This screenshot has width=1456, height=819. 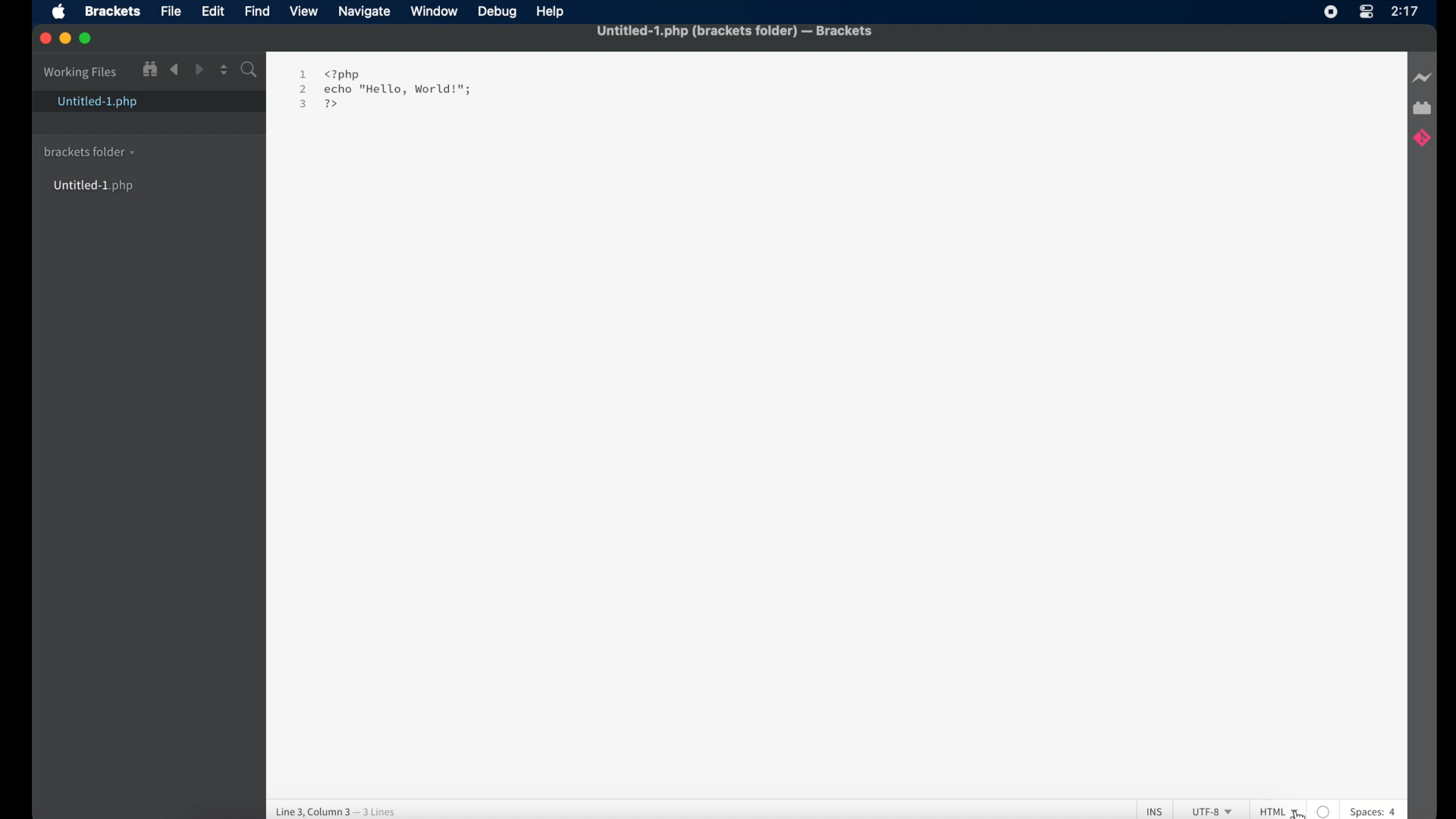 What do you see at coordinates (1423, 78) in the screenshot?
I see `live preview` at bounding box center [1423, 78].